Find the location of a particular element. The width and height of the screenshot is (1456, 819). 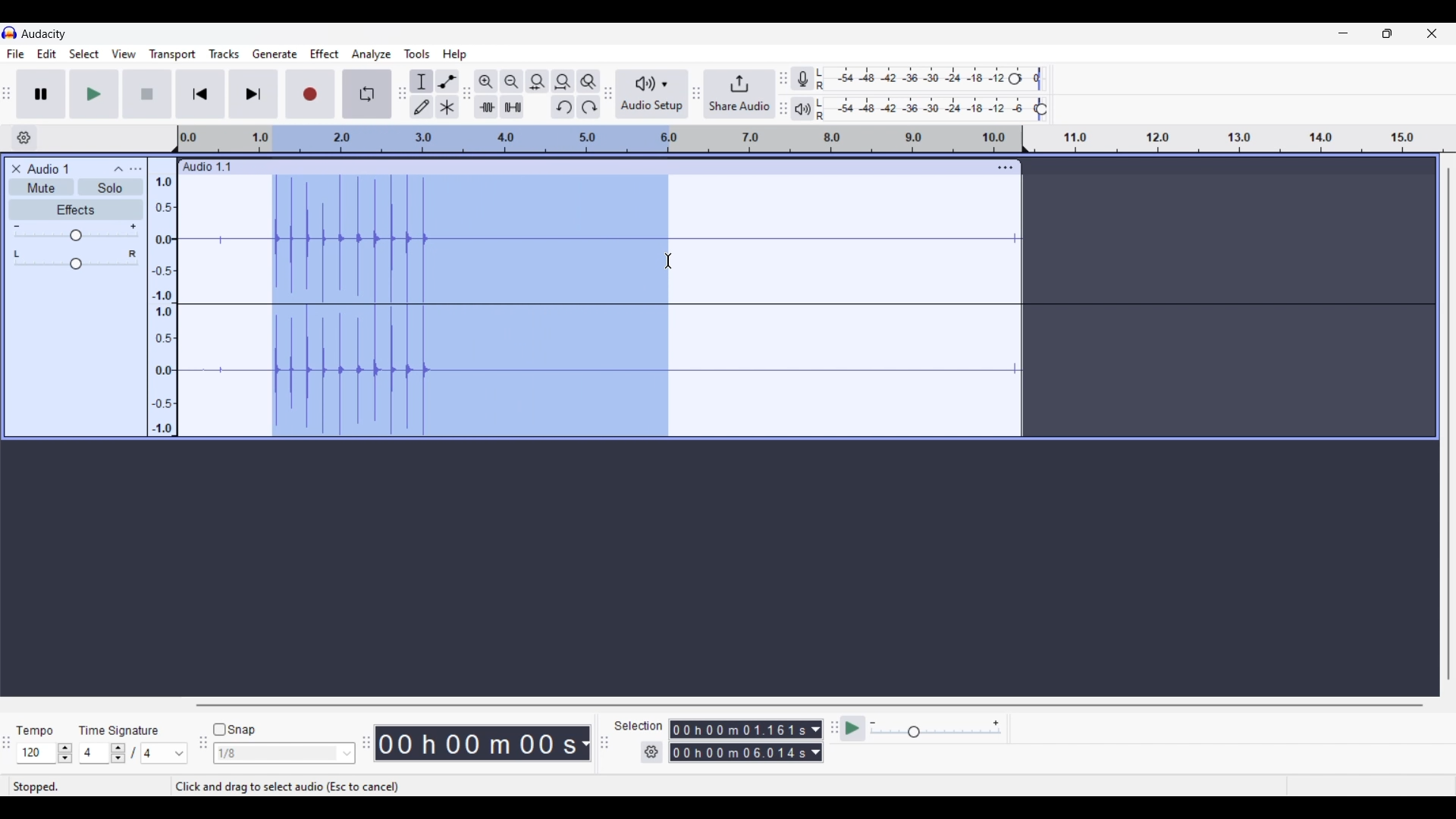

Envelop tool is located at coordinates (447, 80).